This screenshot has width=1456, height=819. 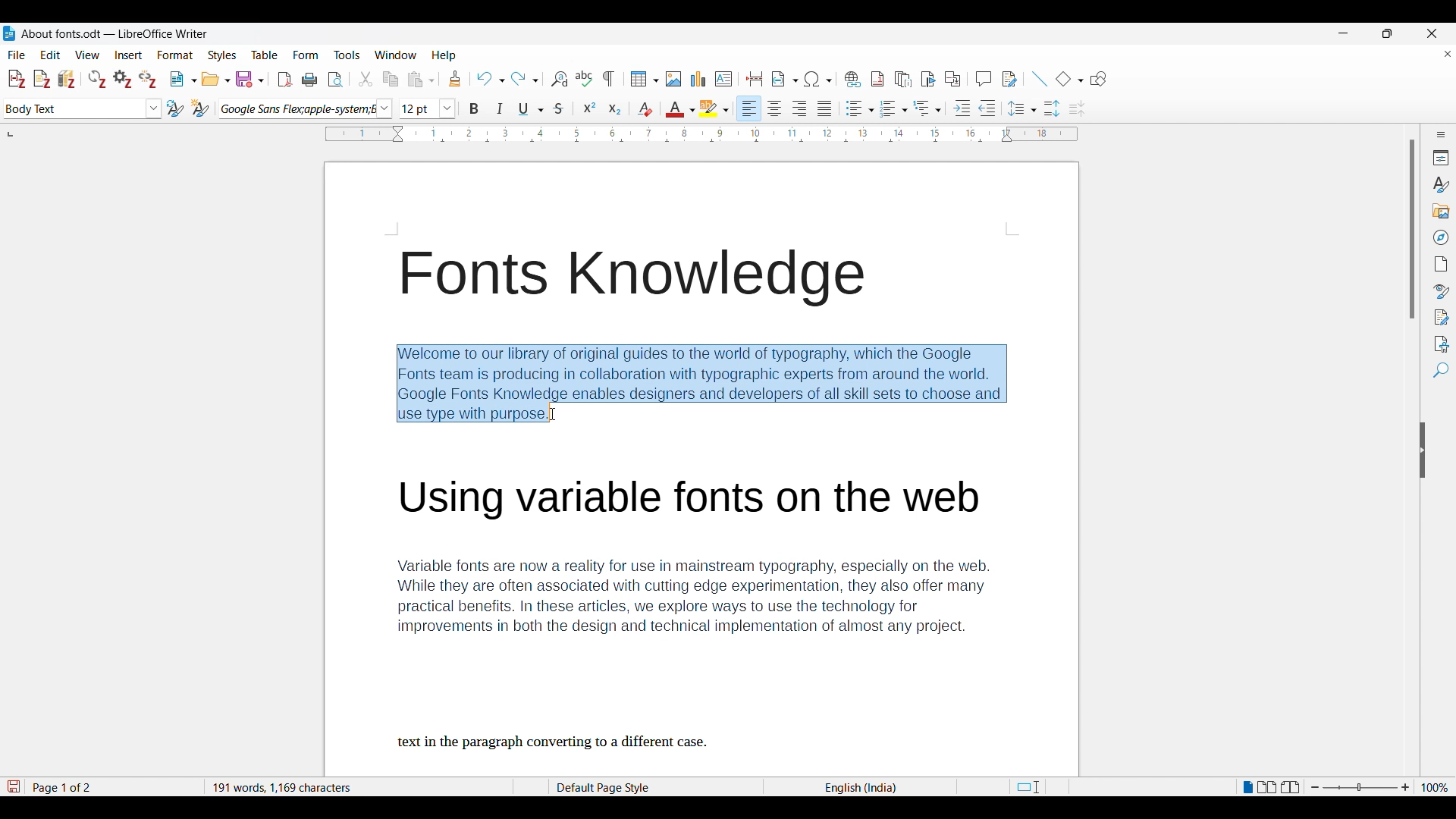 What do you see at coordinates (928, 80) in the screenshot?
I see `Insert bookmark` at bounding box center [928, 80].